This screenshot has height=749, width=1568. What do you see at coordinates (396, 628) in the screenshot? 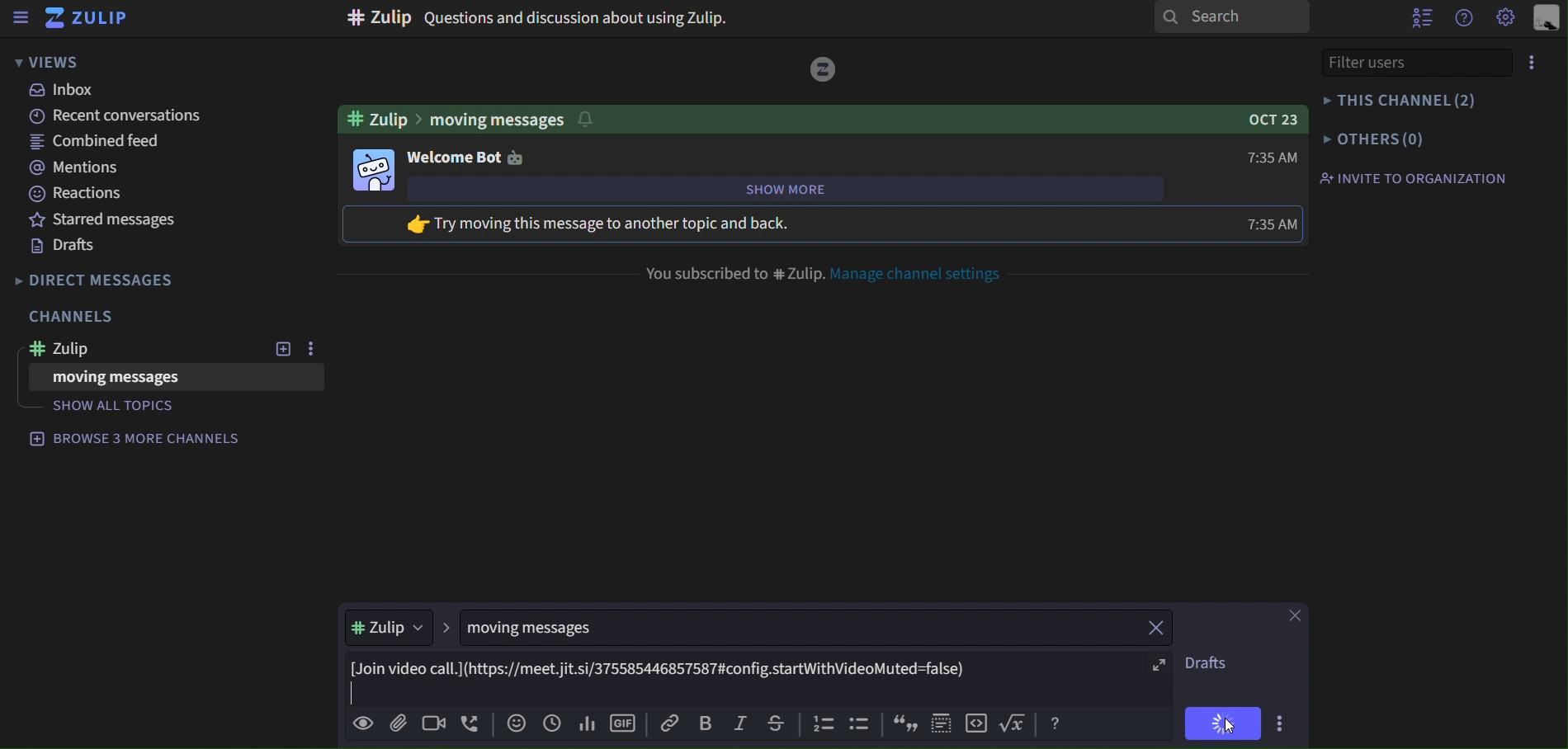
I see `# Zulip >` at bounding box center [396, 628].